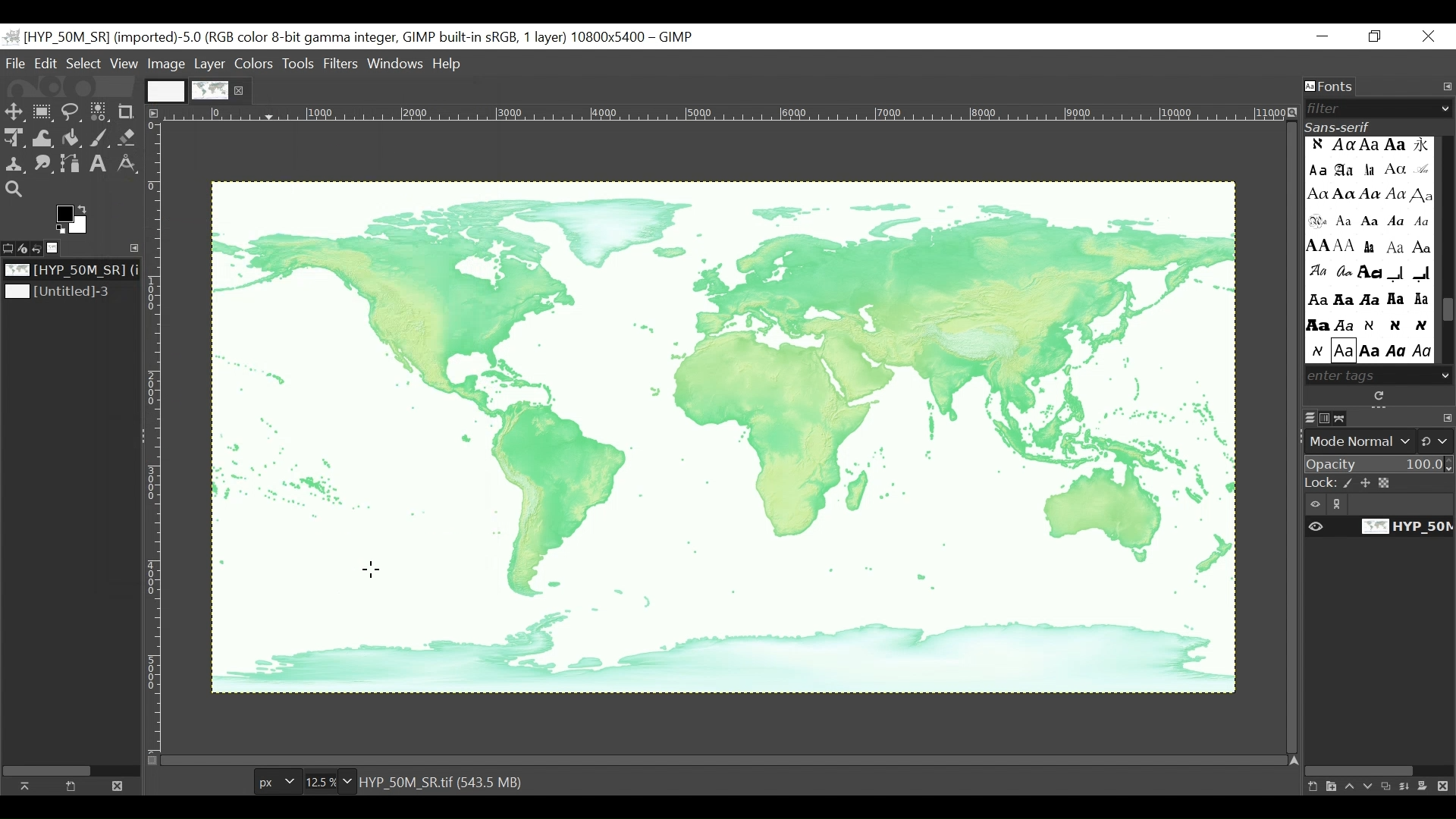 This screenshot has width=1456, height=819. What do you see at coordinates (1373, 108) in the screenshot?
I see `Filter` at bounding box center [1373, 108].